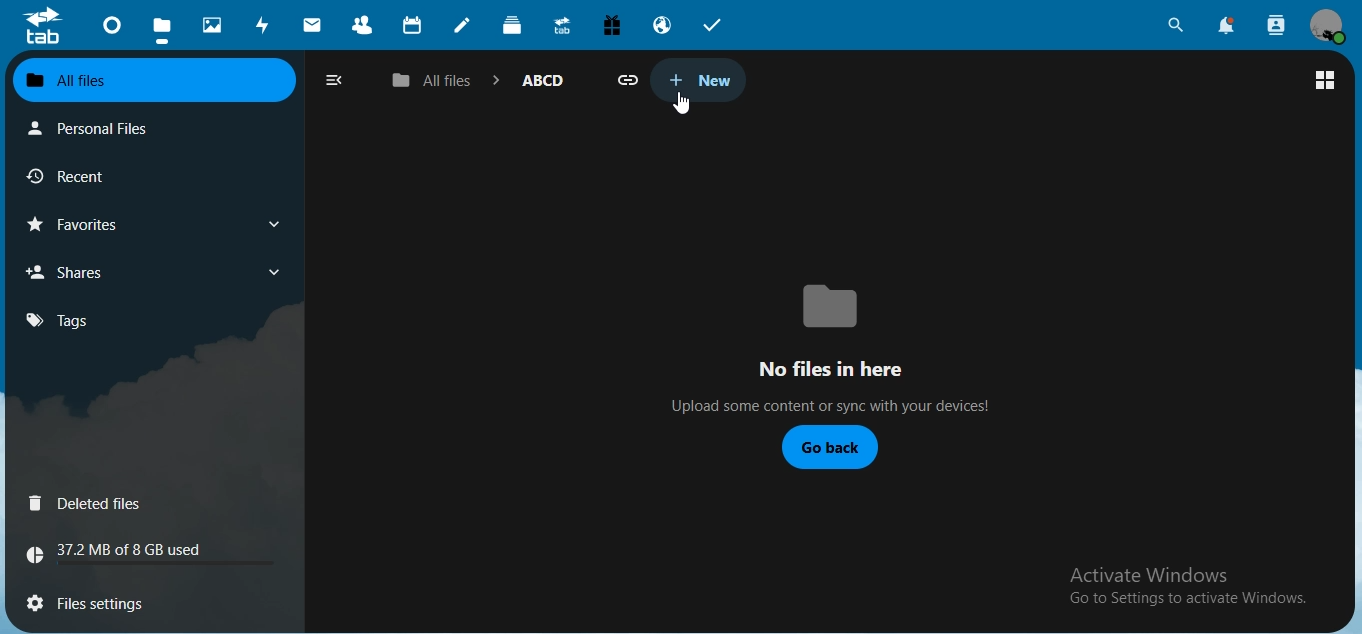 This screenshot has height=634, width=1362. I want to click on email hosting, so click(664, 27).